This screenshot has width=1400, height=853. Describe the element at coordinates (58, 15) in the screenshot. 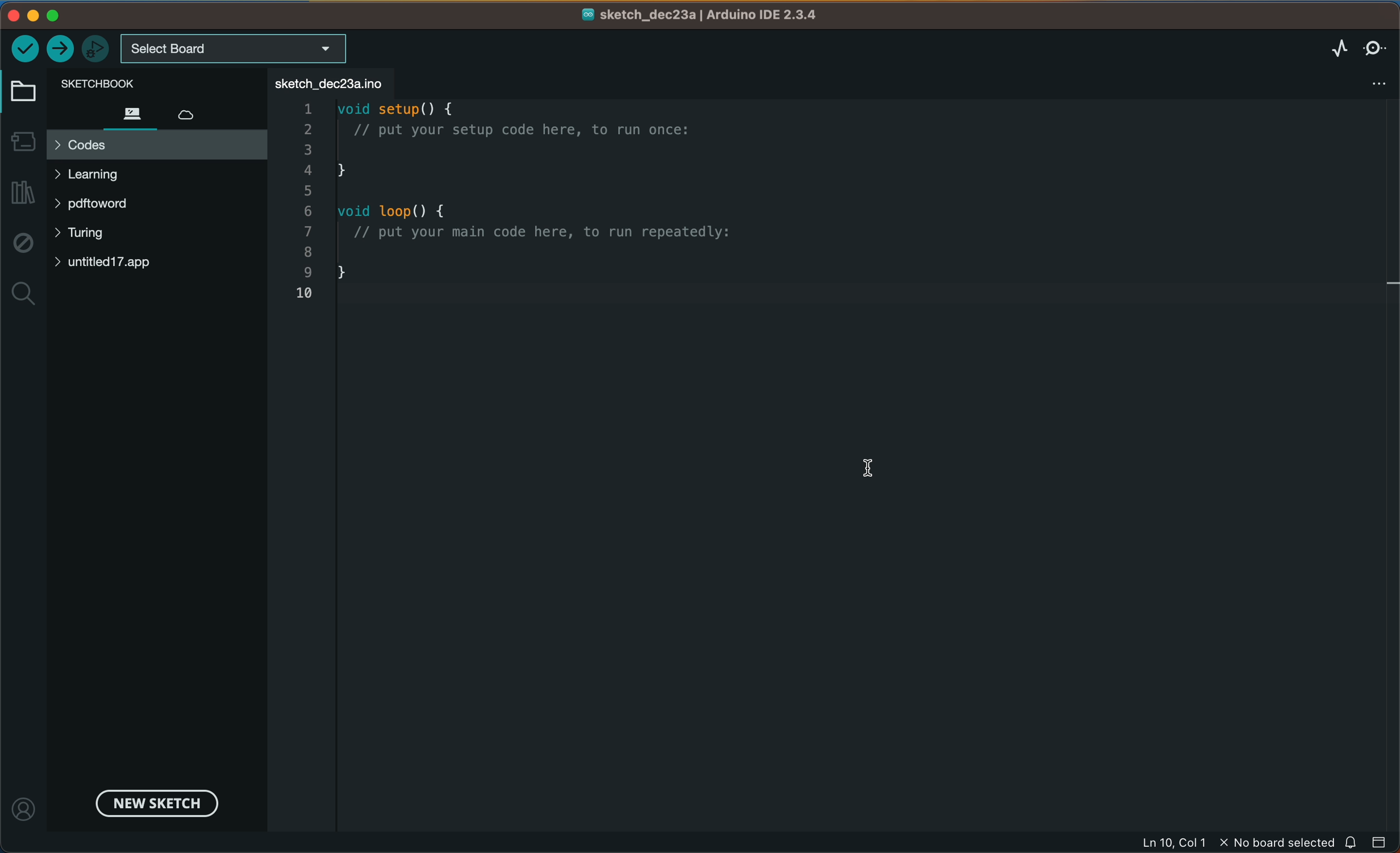

I see `windows control` at that location.